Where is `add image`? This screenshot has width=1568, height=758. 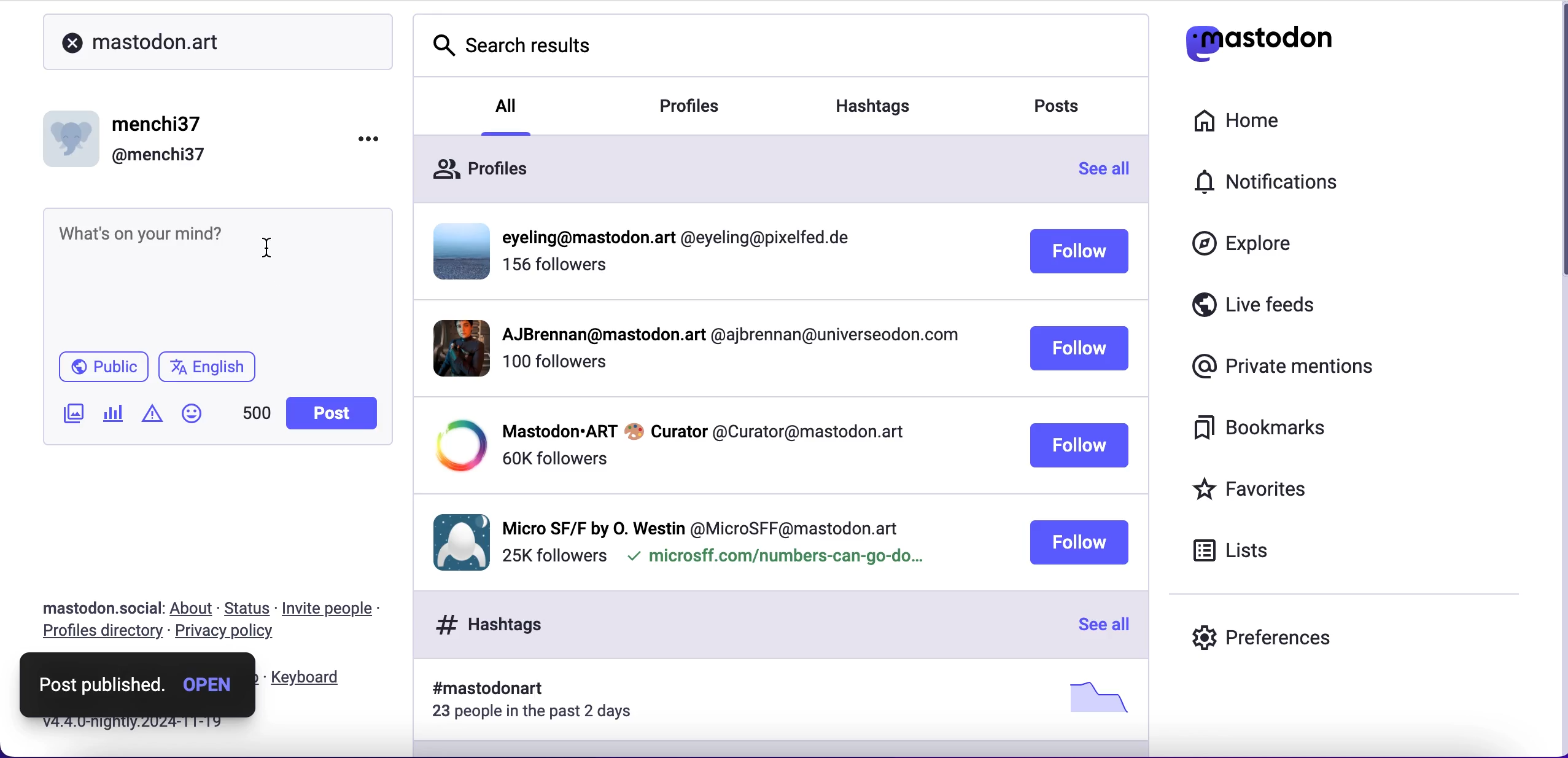 add image is located at coordinates (71, 415).